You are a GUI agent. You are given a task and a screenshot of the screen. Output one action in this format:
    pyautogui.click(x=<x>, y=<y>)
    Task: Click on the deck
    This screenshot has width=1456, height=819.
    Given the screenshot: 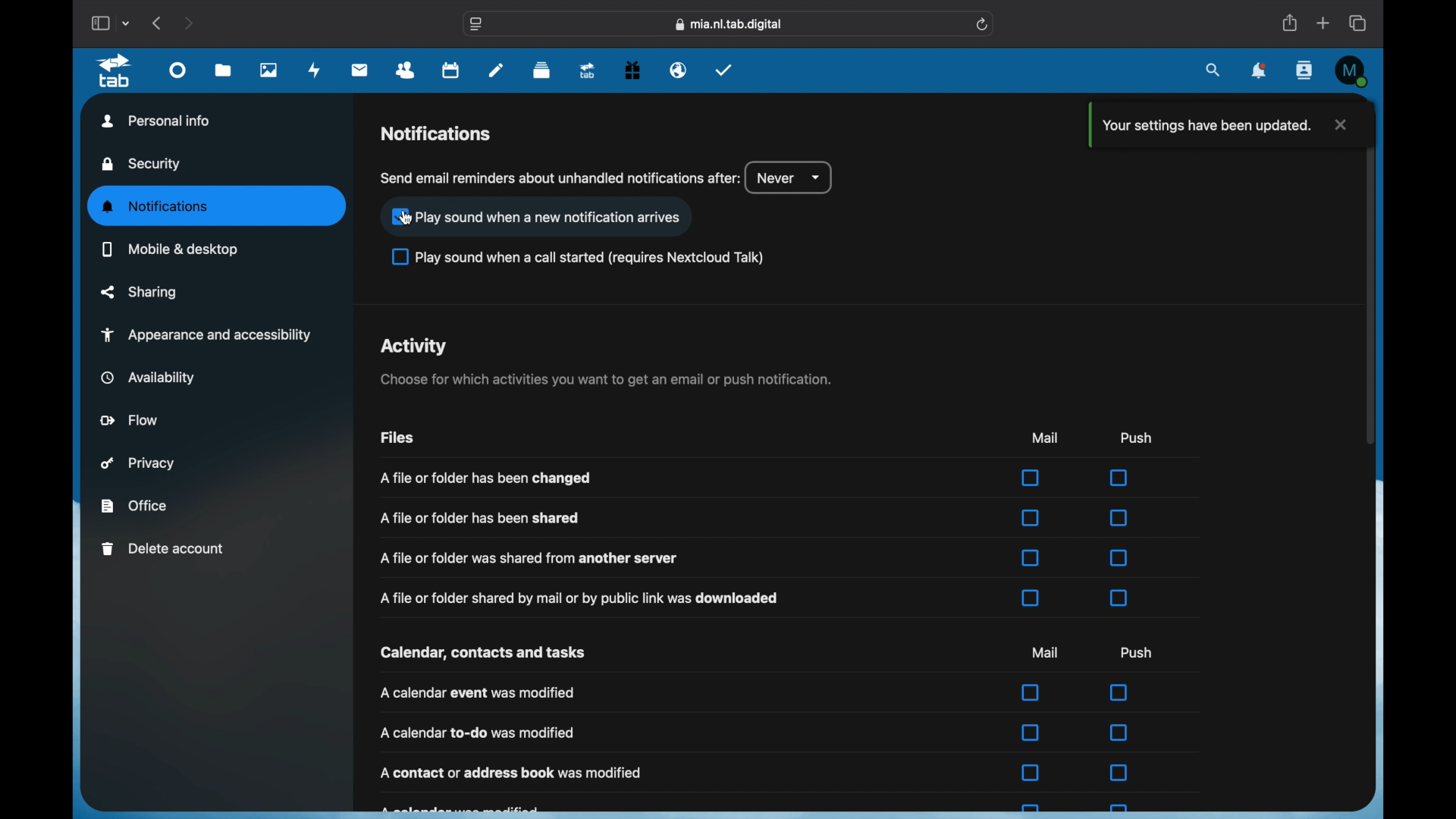 What is the action you would take?
    pyautogui.click(x=542, y=71)
    